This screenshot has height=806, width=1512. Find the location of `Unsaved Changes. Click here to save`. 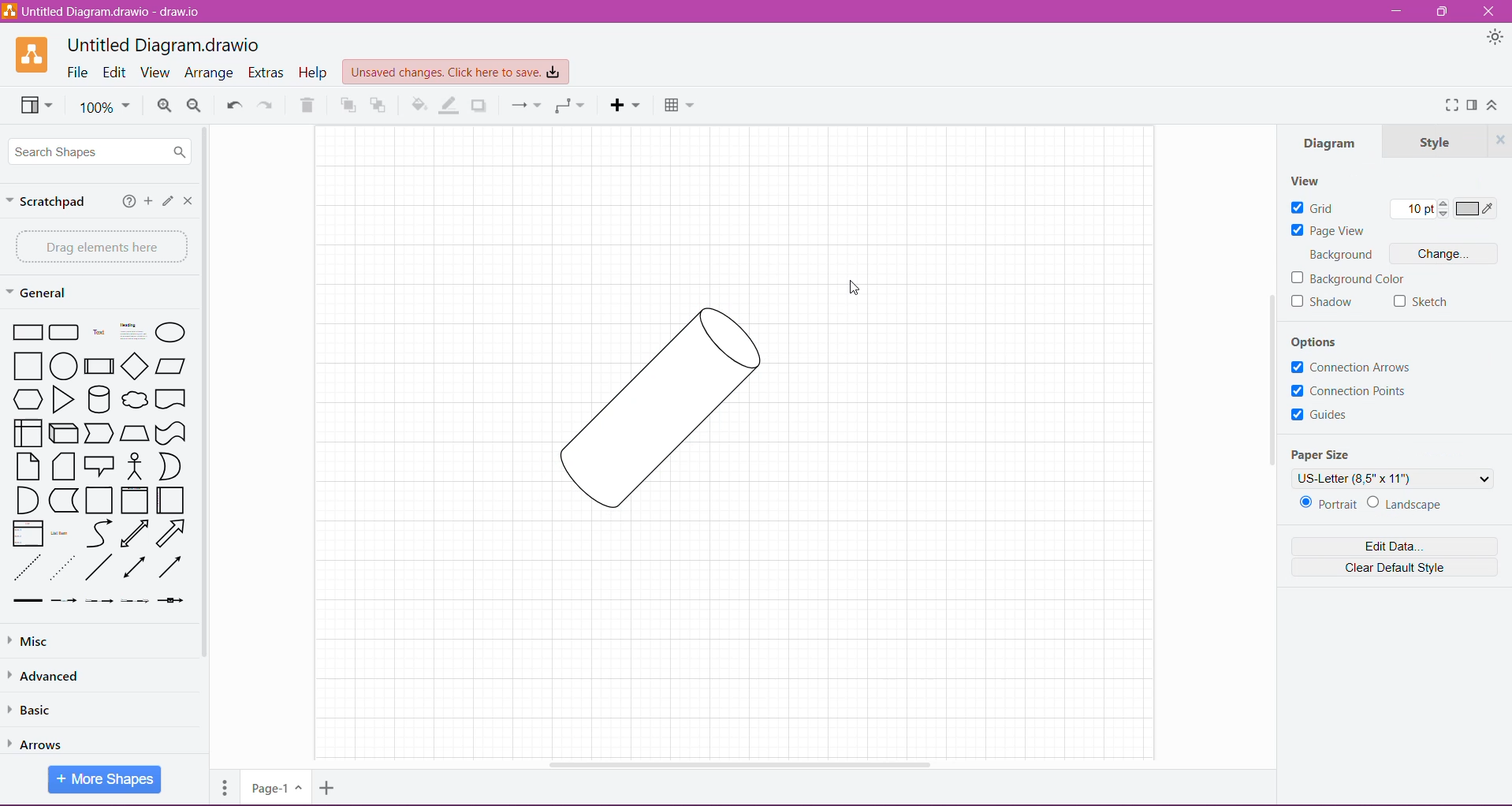

Unsaved Changes. Click here to save is located at coordinates (453, 70).